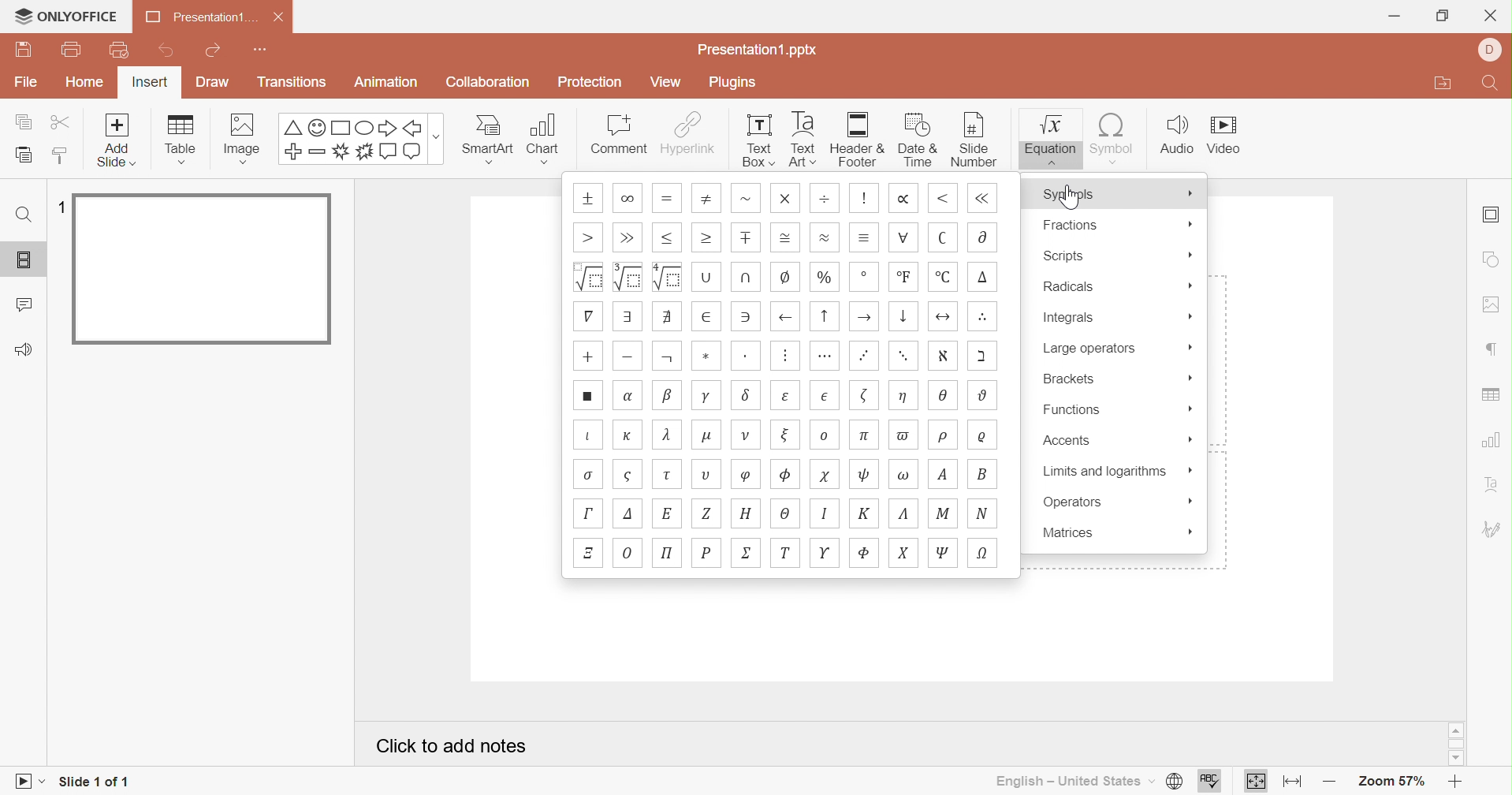 This screenshot has width=1512, height=795. Describe the element at coordinates (667, 82) in the screenshot. I see `View` at that location.